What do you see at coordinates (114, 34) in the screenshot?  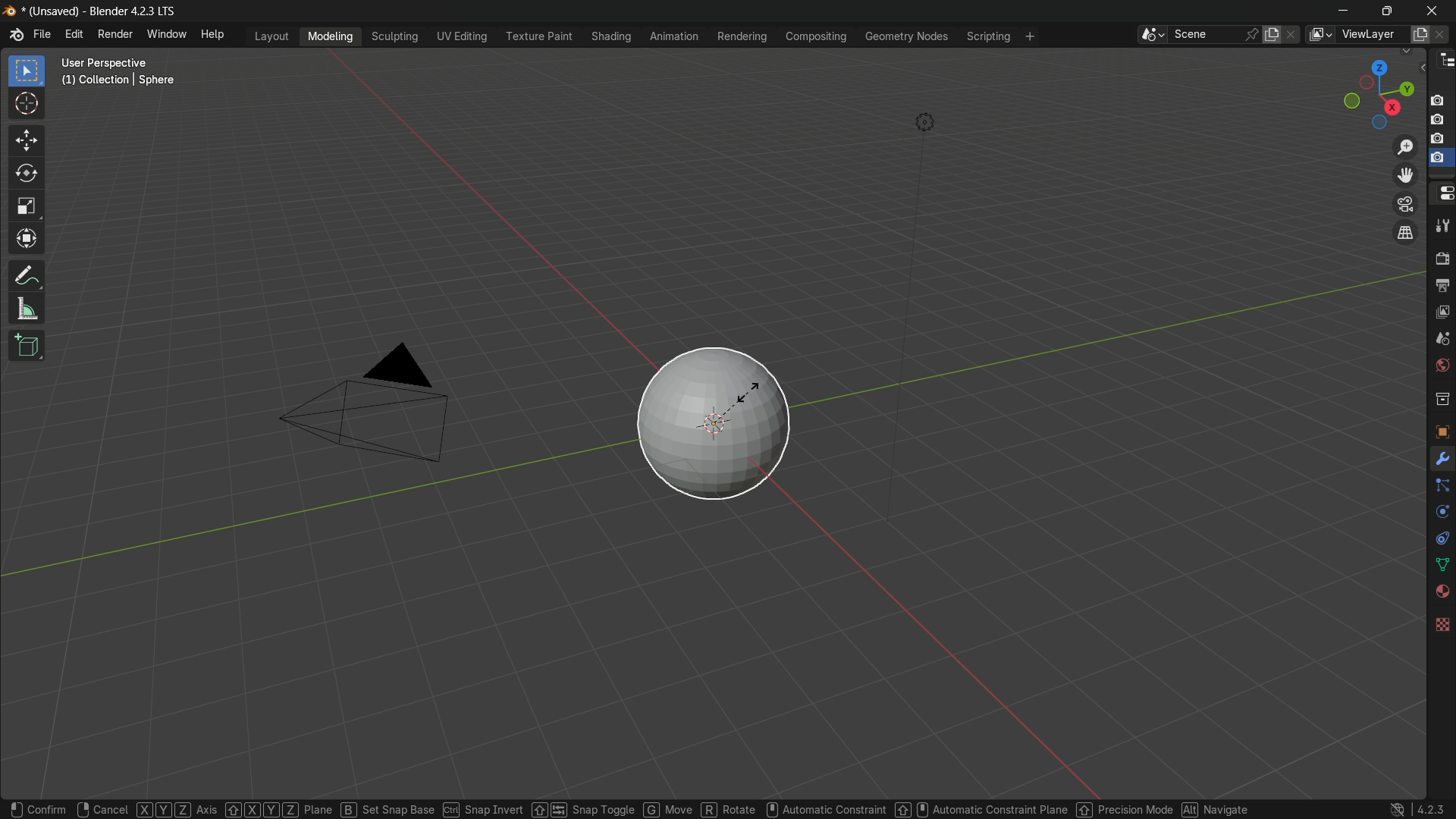 I see `render menu` at bounding box center [114, 34].